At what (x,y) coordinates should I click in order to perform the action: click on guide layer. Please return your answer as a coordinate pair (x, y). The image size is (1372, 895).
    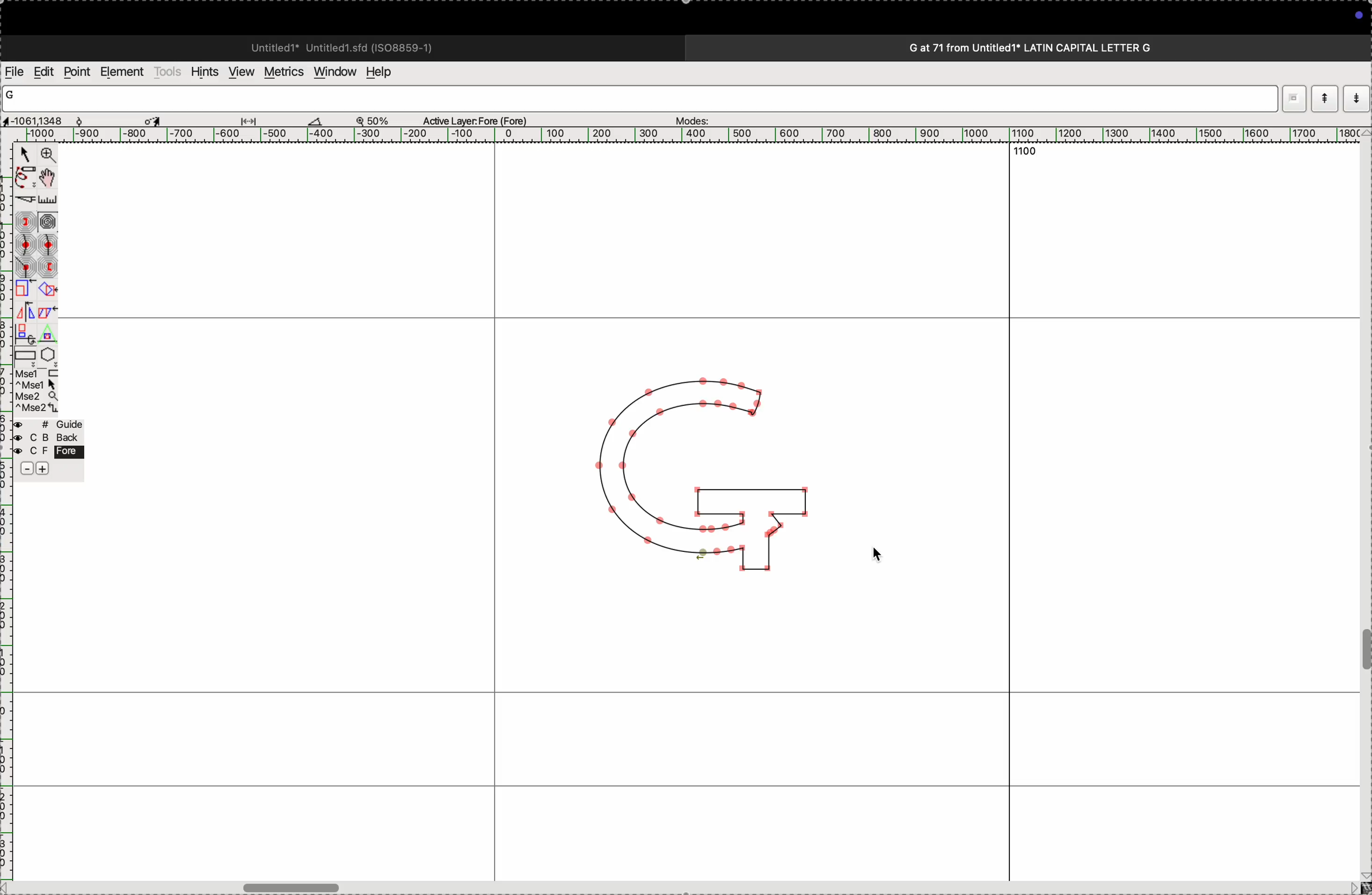
    Looking at the image, I should click on (48, 423).